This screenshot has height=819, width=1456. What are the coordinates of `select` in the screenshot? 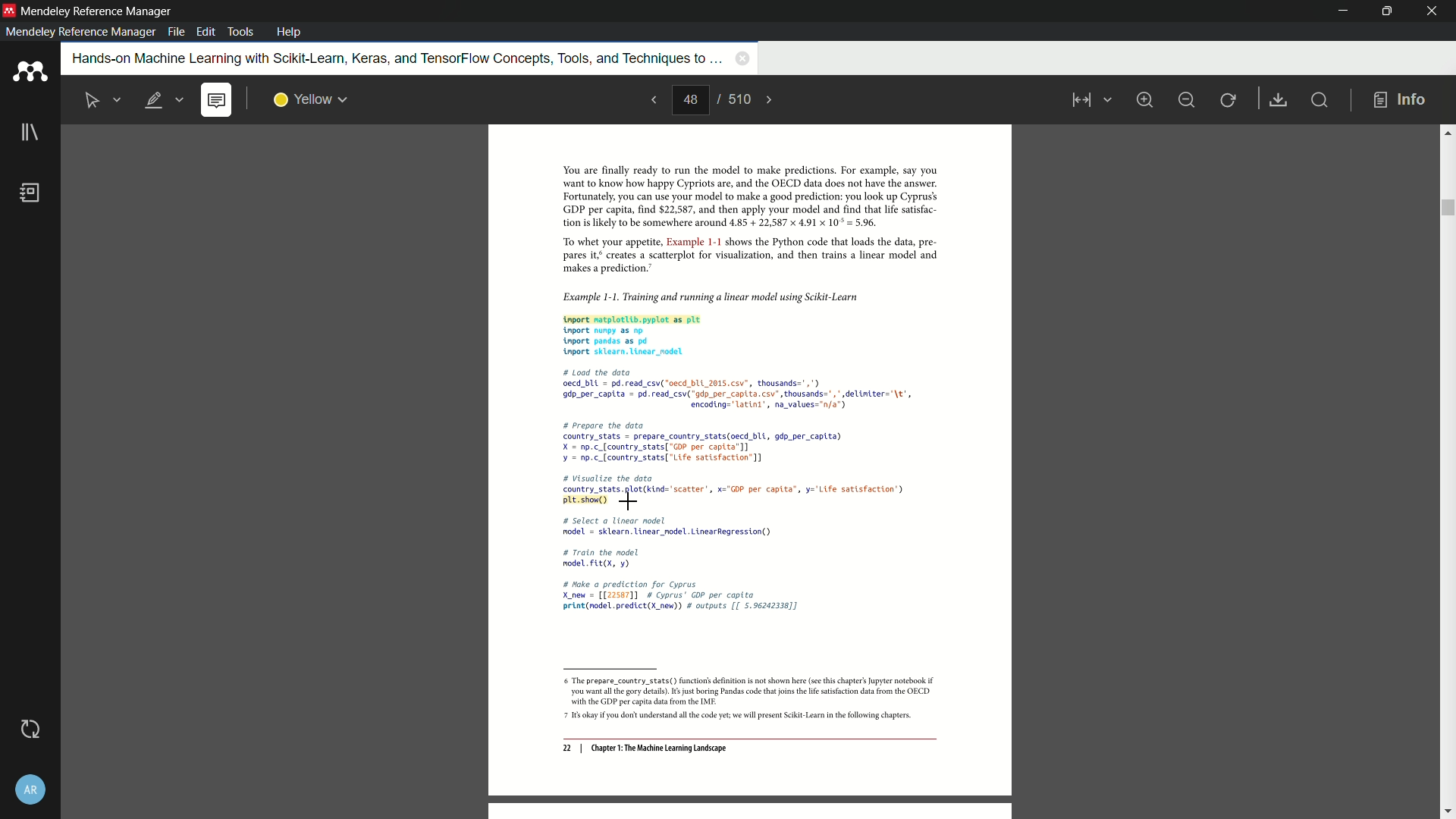 It's located at (93, 101).